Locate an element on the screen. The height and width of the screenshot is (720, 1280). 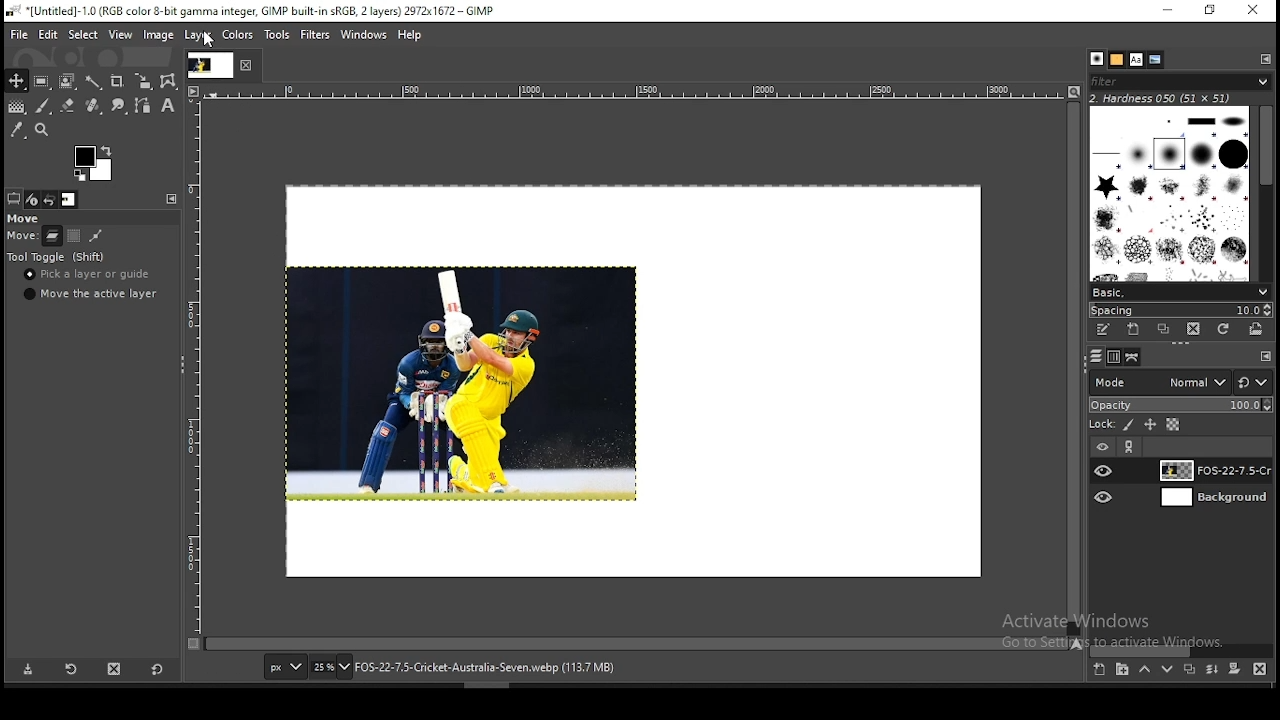
brushes filter is located at coordinates (1180, 80).